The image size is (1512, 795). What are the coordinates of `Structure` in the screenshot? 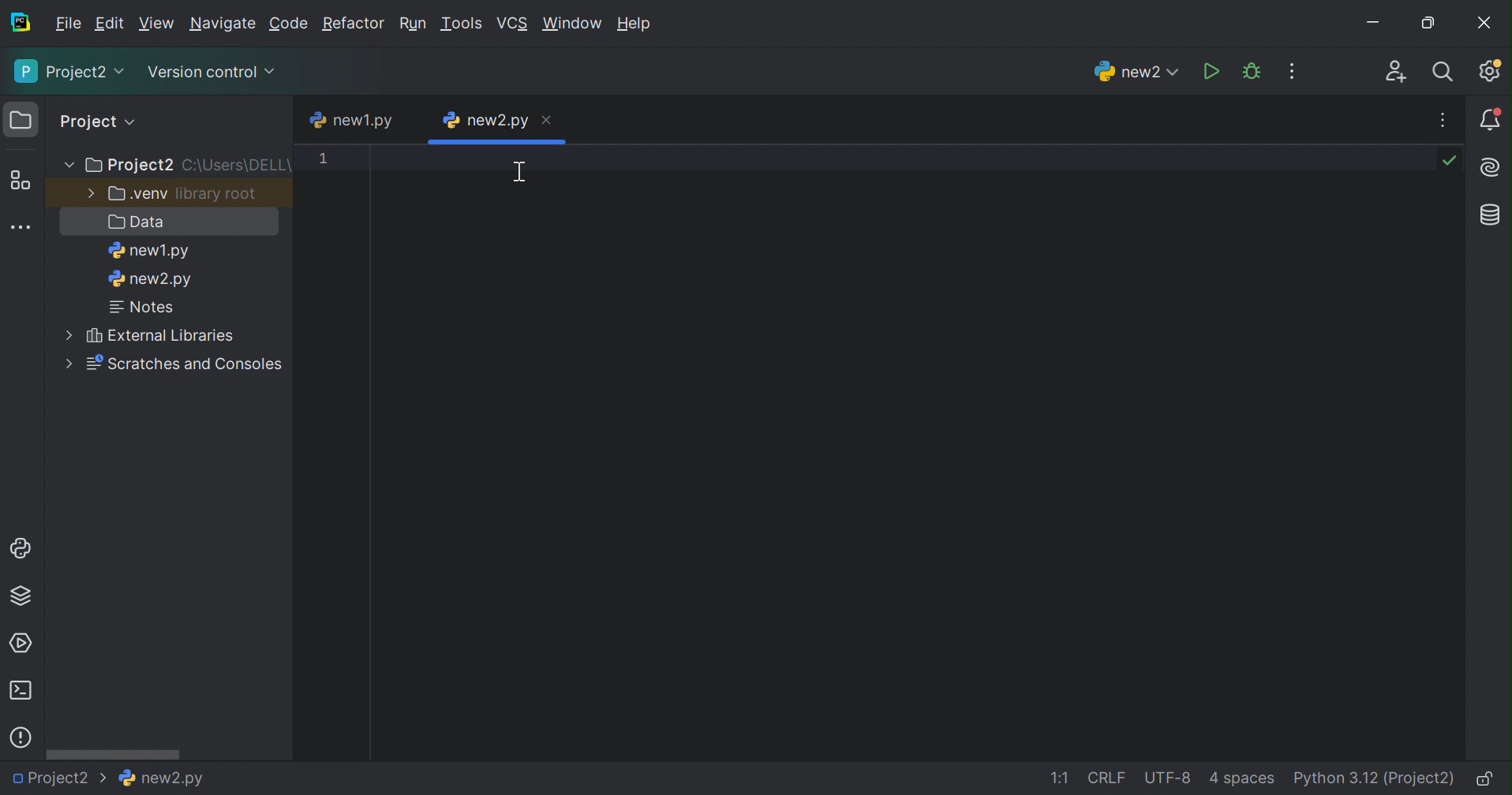 It's located at (21, 181).